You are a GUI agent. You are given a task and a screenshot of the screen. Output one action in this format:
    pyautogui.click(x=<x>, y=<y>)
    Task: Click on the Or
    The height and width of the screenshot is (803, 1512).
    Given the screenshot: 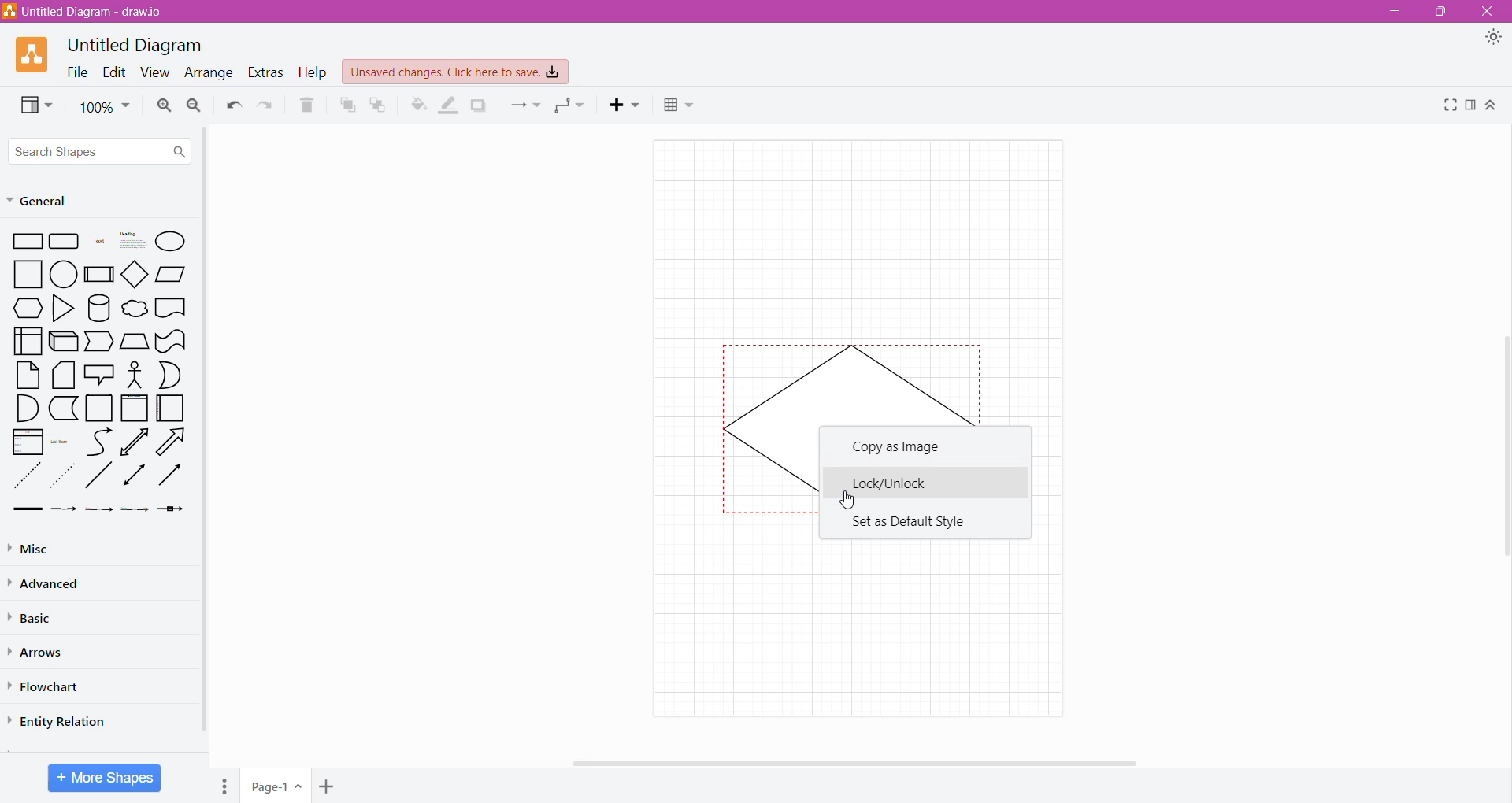 What is the action you would take?
    pyautogui.click(x=171, y=375)
    